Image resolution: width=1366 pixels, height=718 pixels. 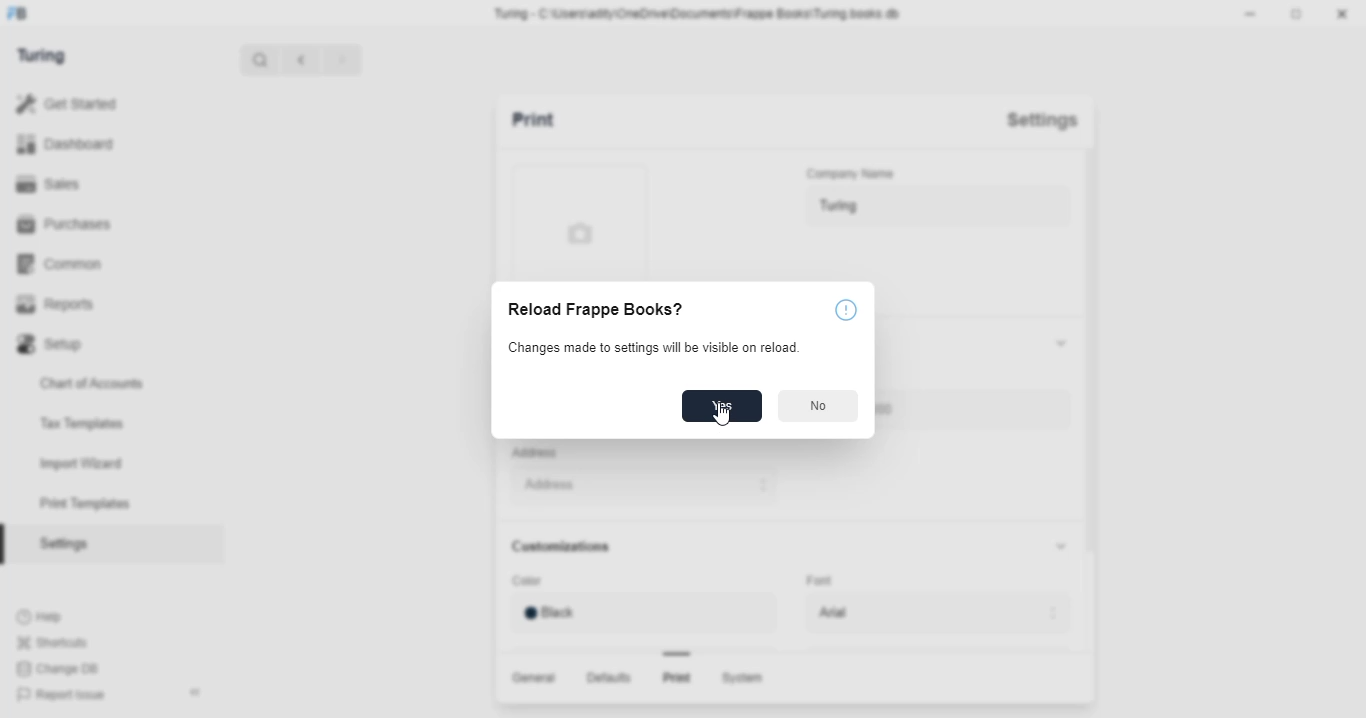 I want to click on Black, so click(x=648, y=613).